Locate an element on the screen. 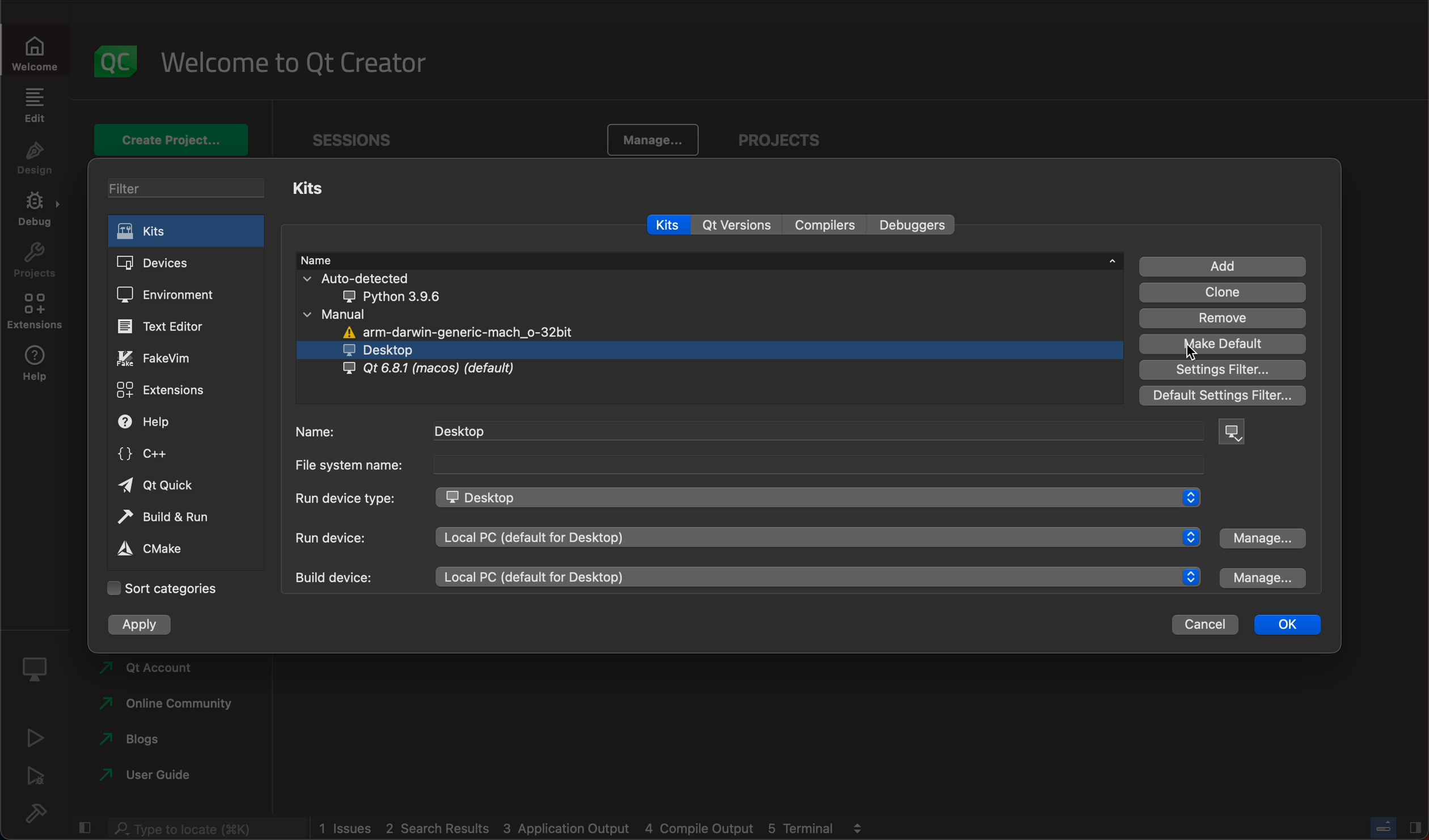 This screenshot has height=840, width=1429. Type to locate (K) is located at coordinates (205, 828).